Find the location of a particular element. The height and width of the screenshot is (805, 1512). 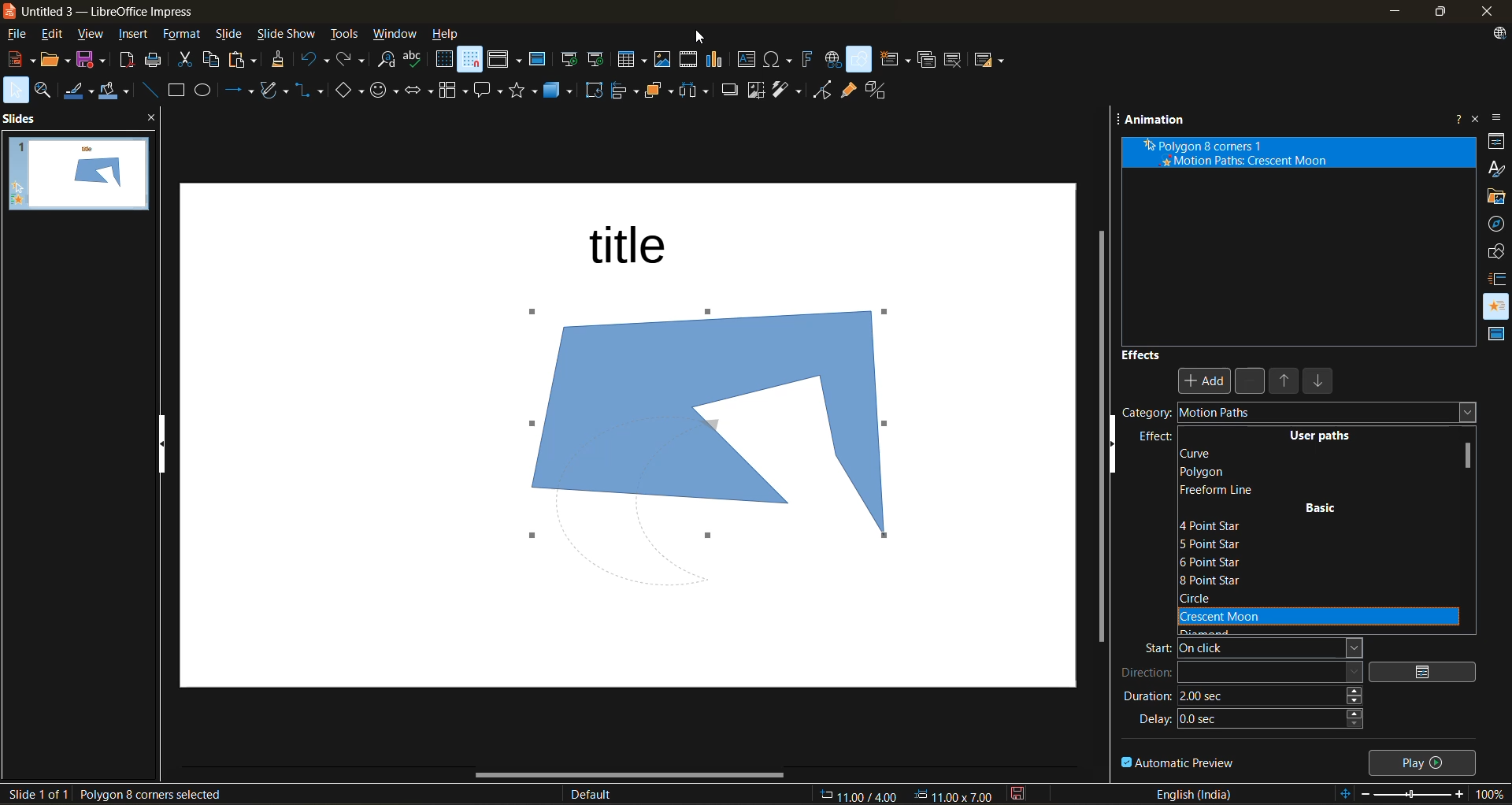

5 point star is located at coordinates (1218, 544).